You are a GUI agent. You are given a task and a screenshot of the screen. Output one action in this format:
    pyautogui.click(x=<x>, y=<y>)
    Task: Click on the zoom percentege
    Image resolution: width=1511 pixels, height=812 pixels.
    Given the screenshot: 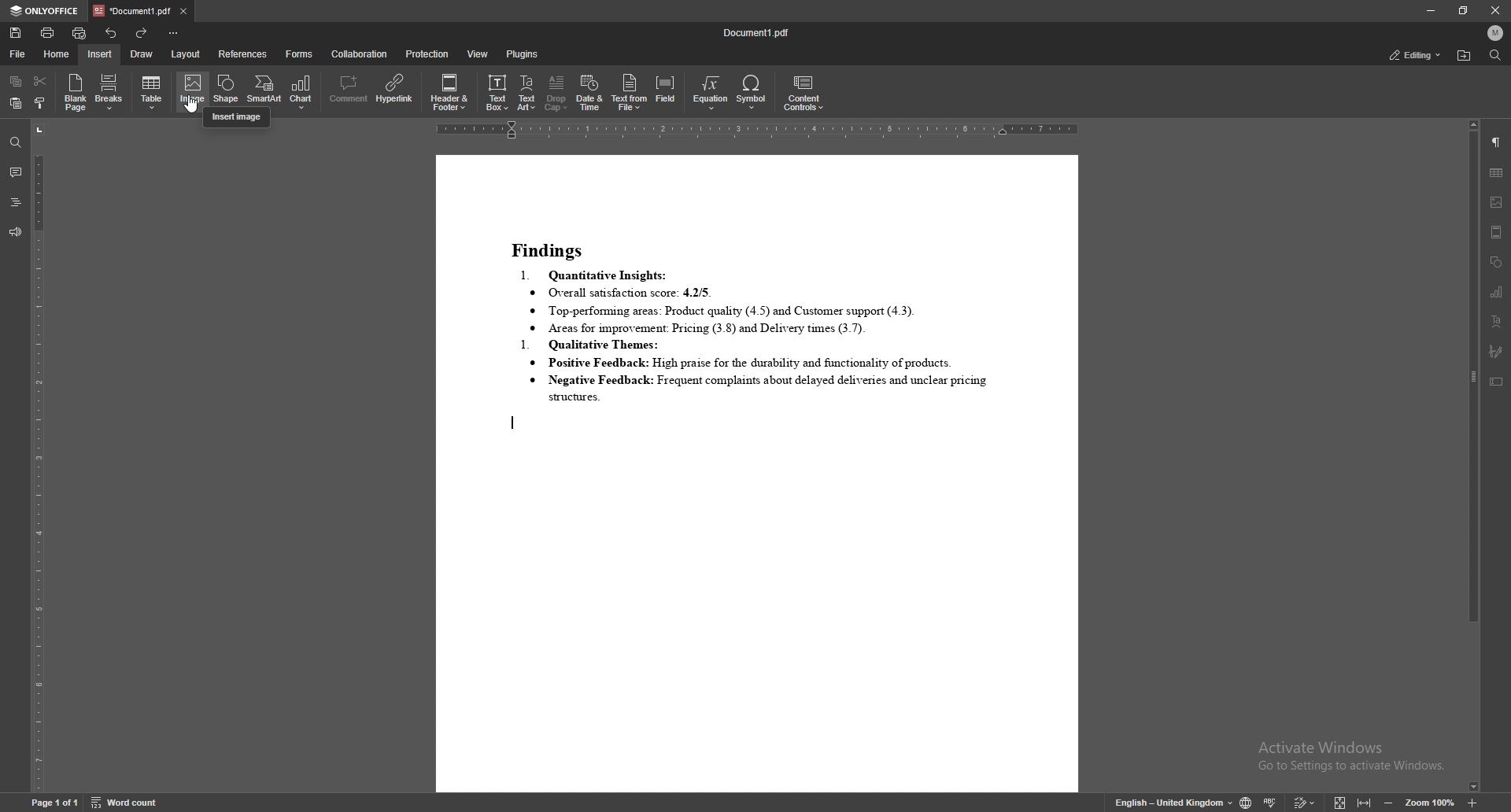 What is the action you would take?
    pyautogui.click(x=1430, y=802)
    